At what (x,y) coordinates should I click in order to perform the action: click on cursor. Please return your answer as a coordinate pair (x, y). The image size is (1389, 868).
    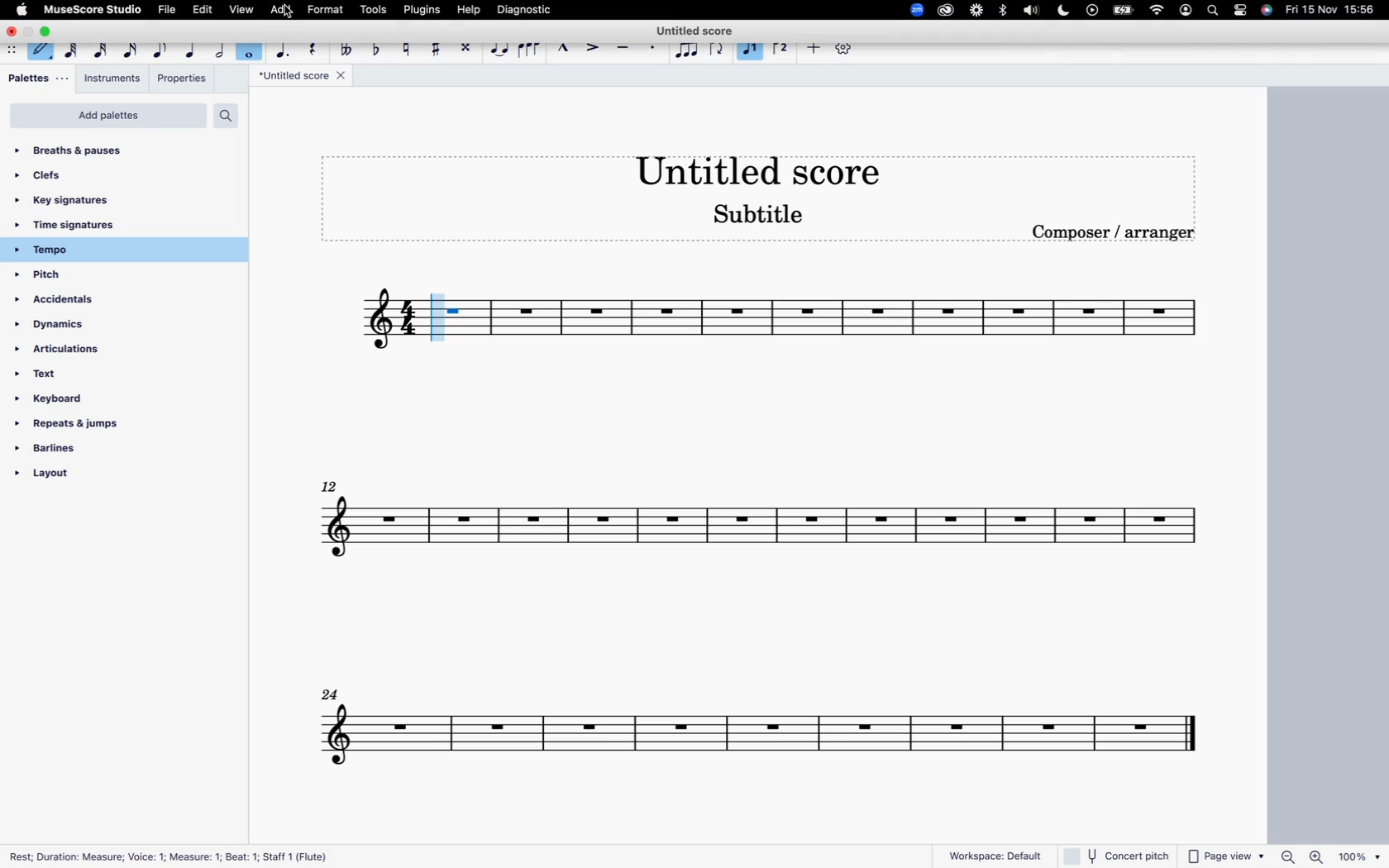
    Looking at the image, I should click on (292, 12).